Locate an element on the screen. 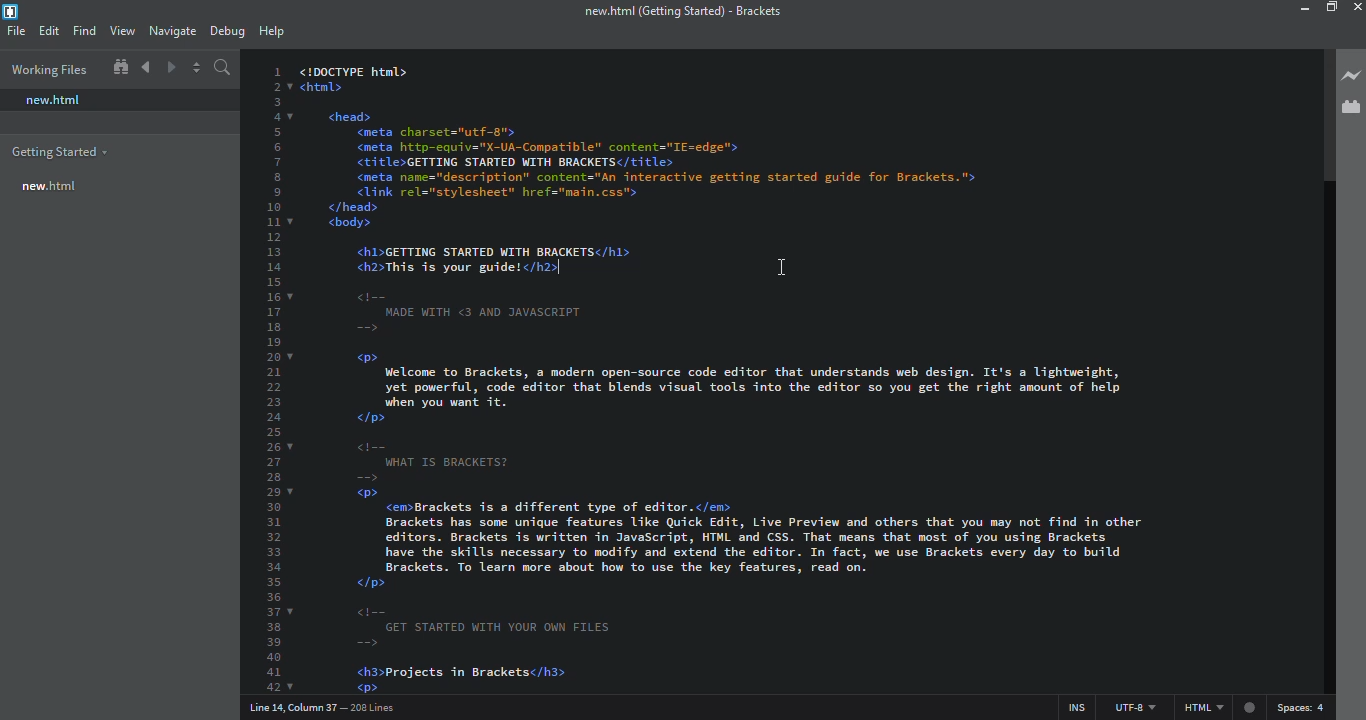 Image resolution: width=1366 pixels, height=720 pixels. navigate back is located at coordinates (146, 67).